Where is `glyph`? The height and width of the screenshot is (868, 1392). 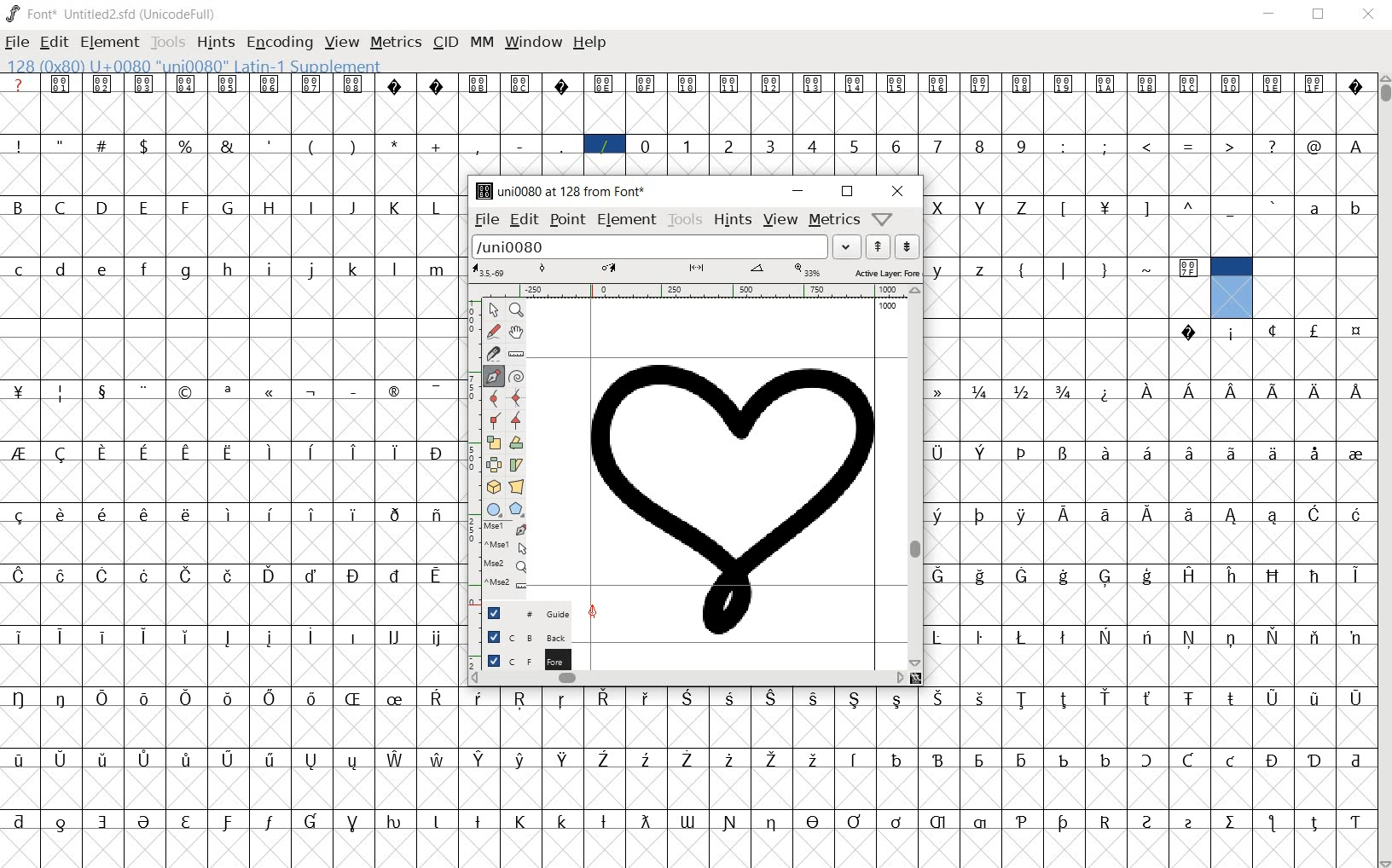
glyph is located at coordinates (1105, 271).